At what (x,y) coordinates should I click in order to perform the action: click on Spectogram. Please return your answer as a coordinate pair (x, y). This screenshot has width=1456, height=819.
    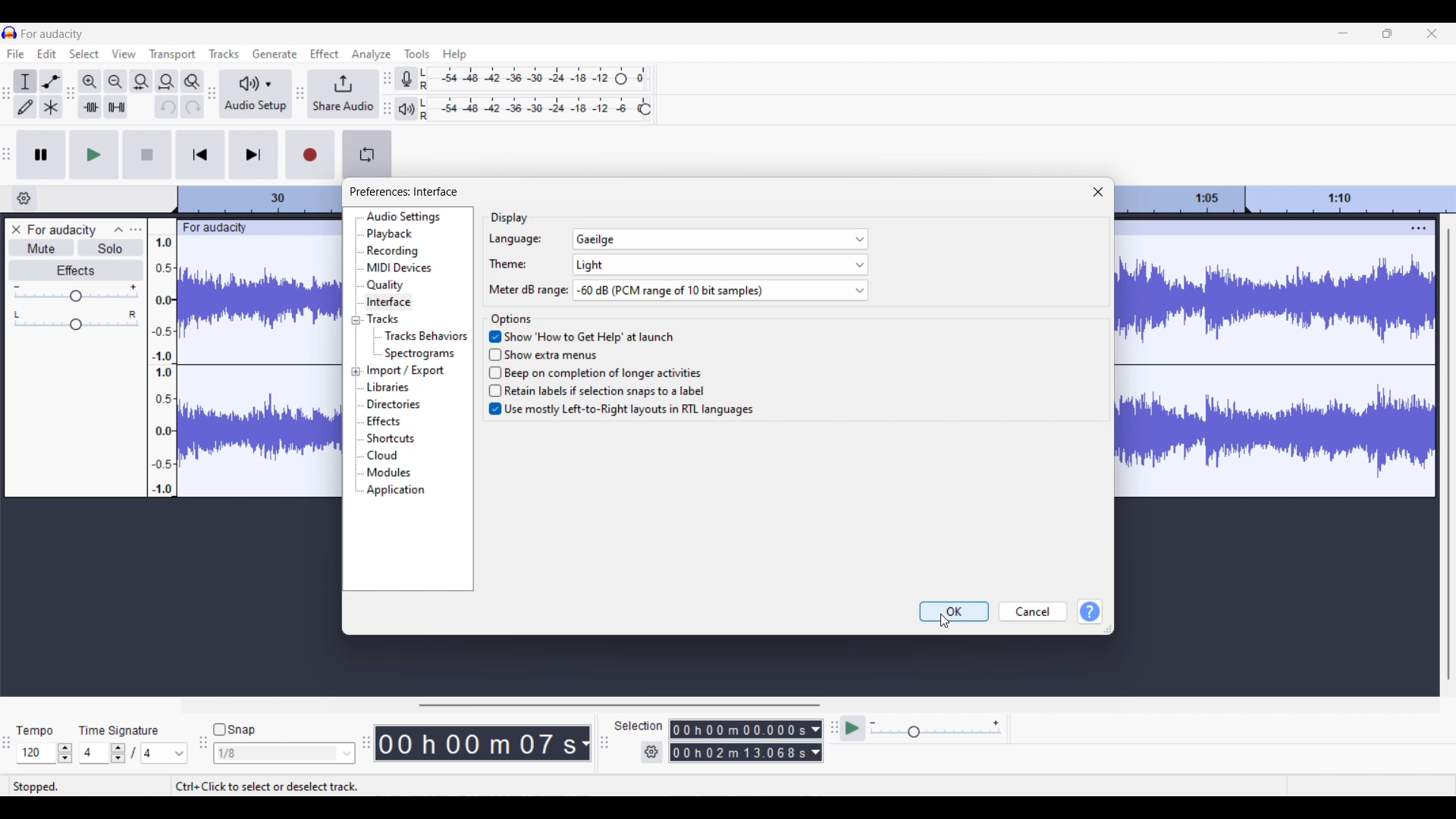
    Looking at the image, I should click on (422, 353).